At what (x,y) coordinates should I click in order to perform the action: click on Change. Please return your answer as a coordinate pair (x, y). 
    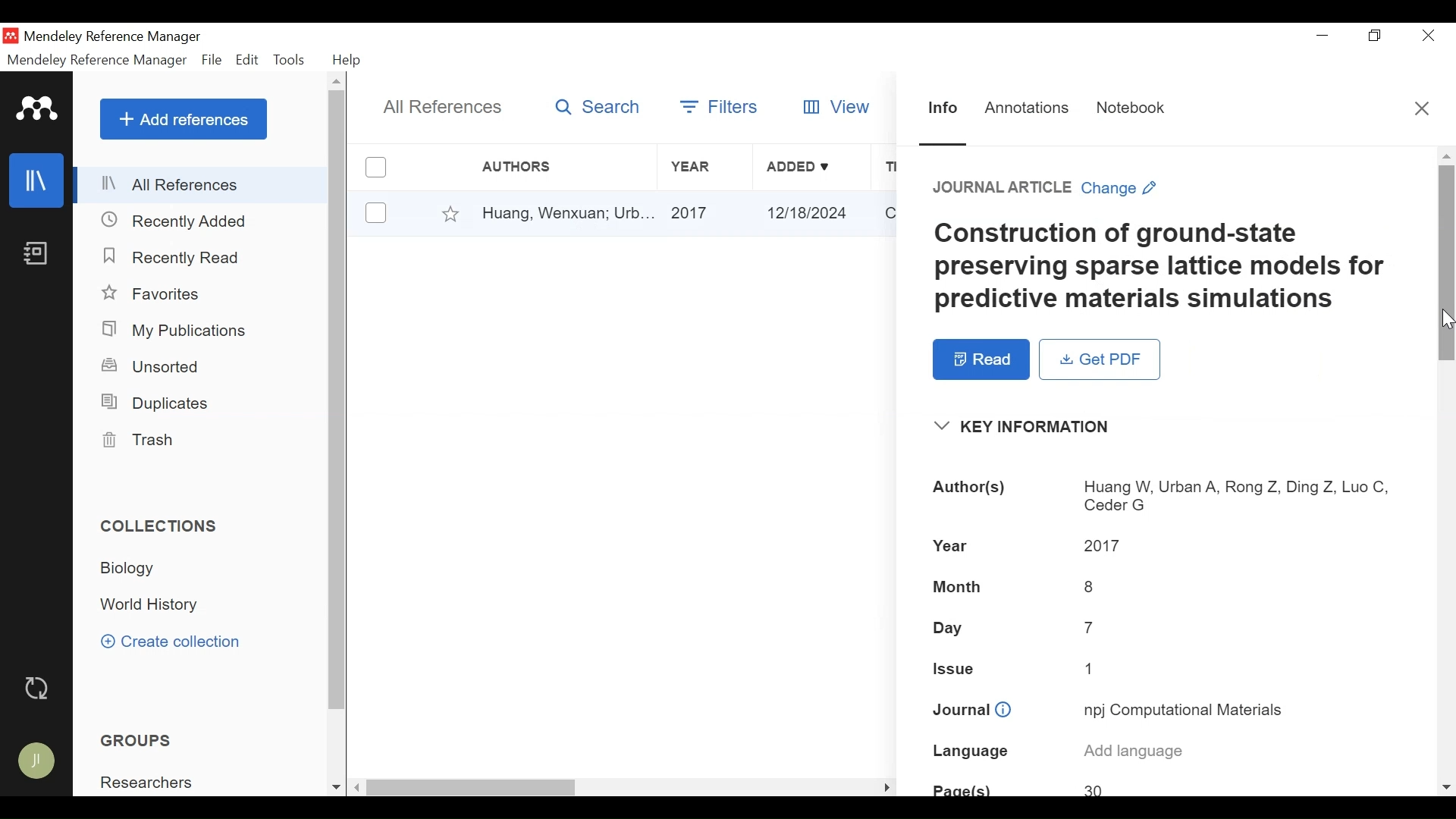
    Looking at the image, I should click on (1121, 188).